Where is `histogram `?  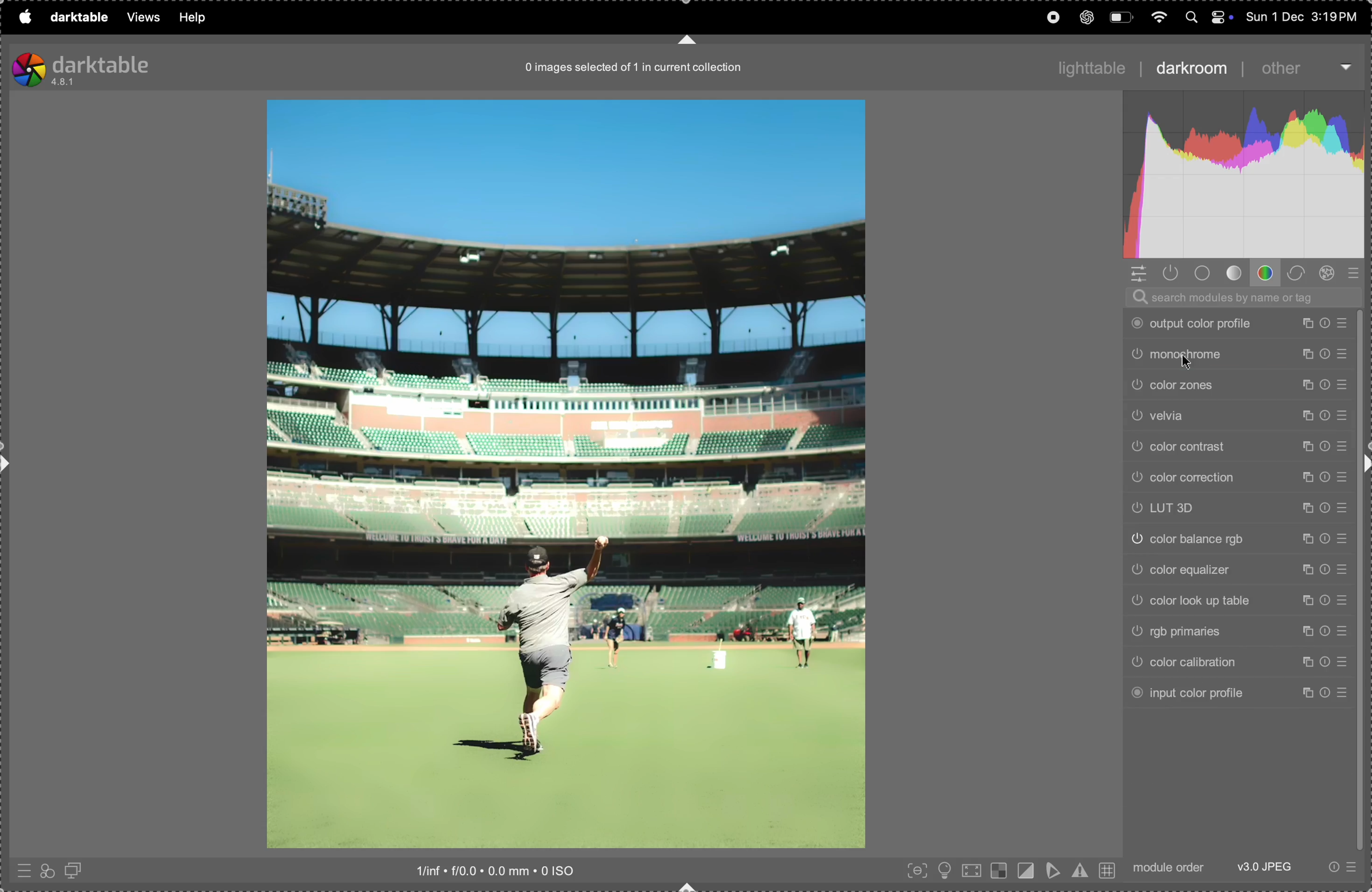
histogram  is located at coordinates (1243, 173).